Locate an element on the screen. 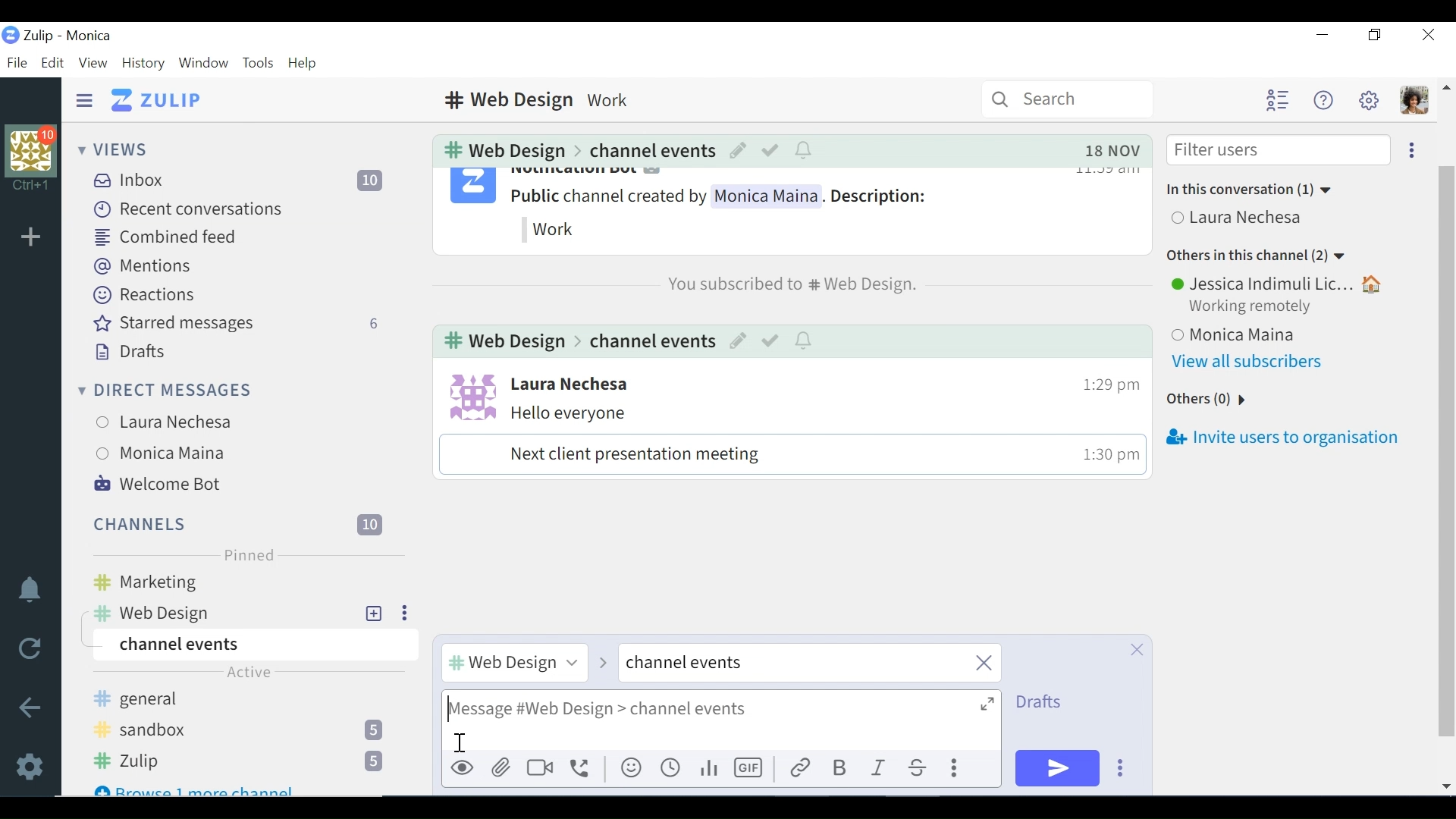 This screenshot has height=819, width=1456. Welcome Bot is located at coordinates (158, 484).